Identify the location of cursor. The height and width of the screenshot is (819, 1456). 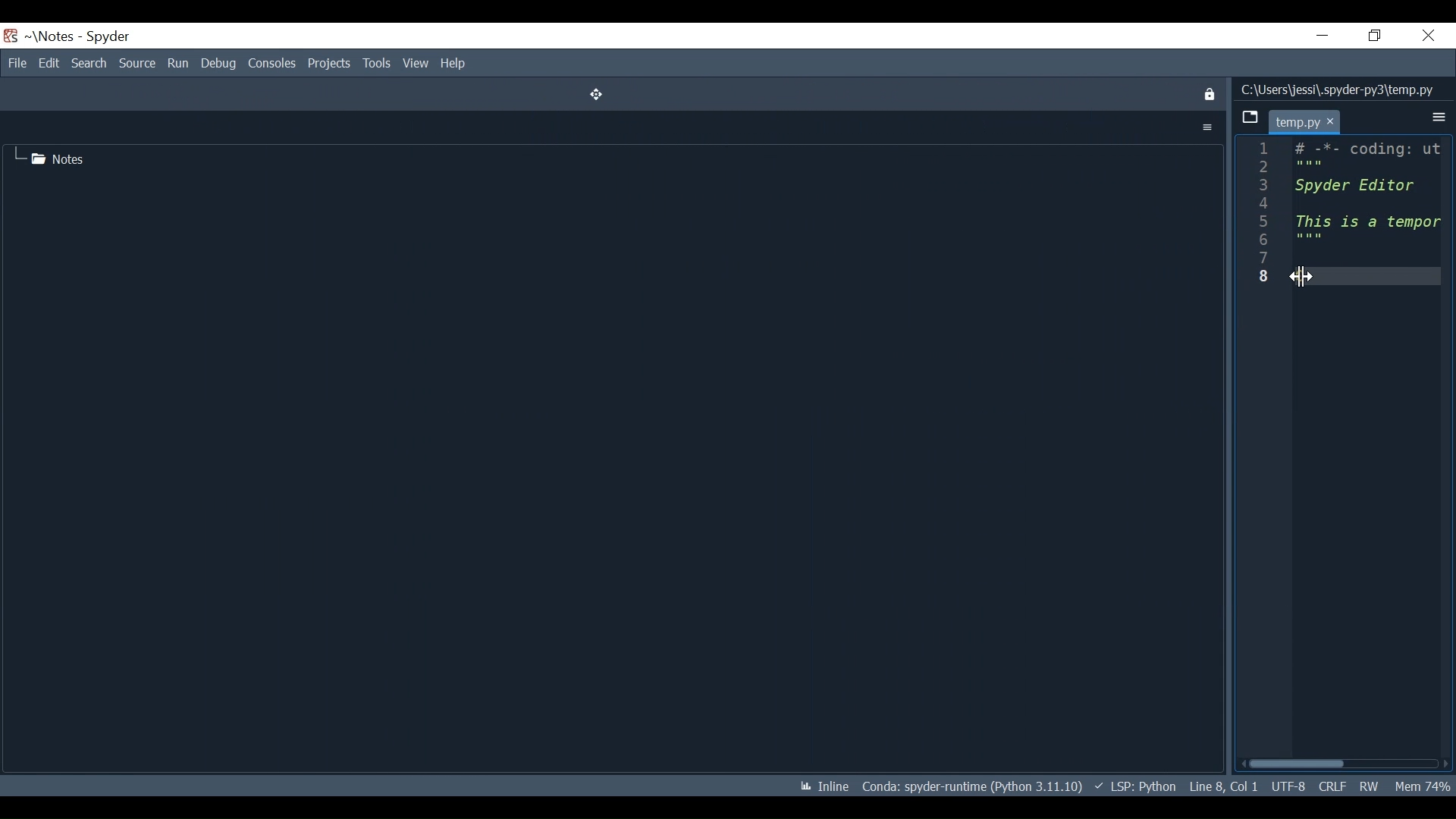
(1333, 121).